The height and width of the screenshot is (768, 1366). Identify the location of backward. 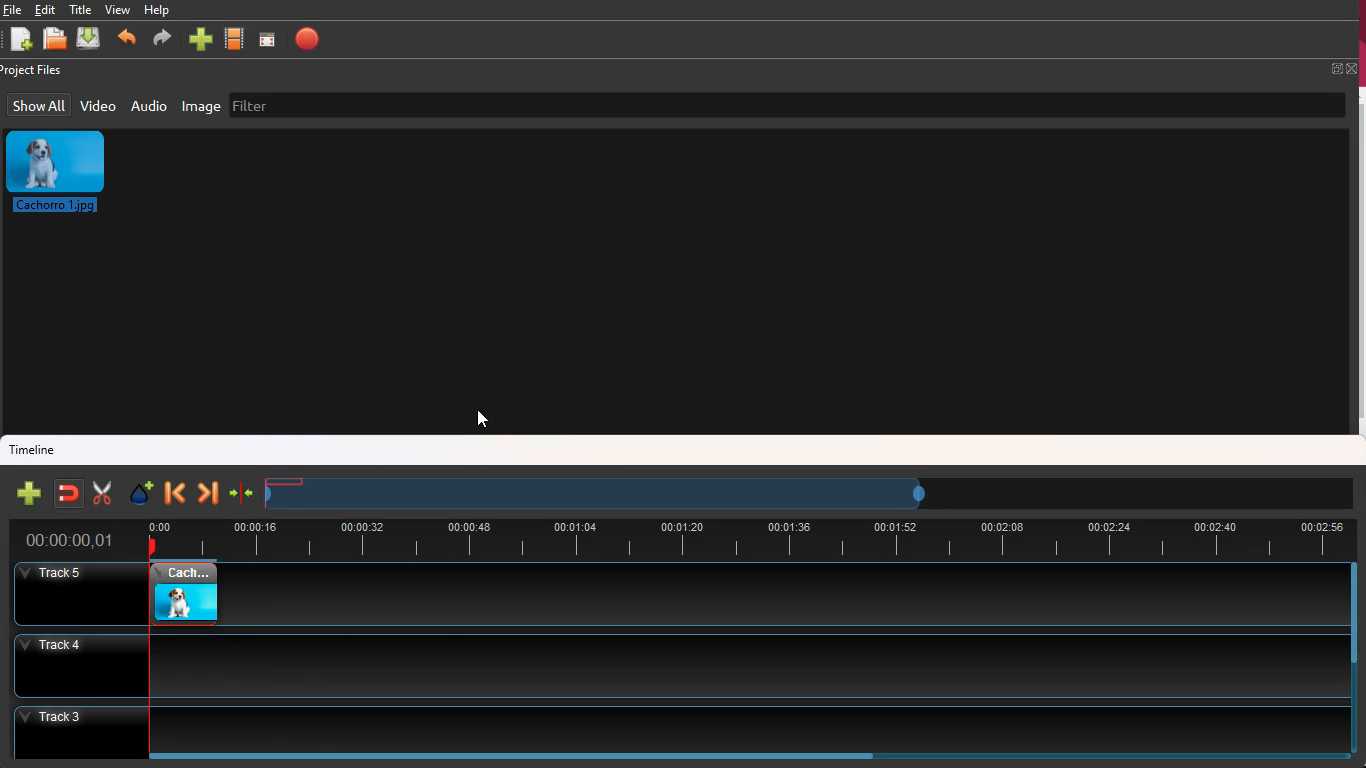
(128, 37).